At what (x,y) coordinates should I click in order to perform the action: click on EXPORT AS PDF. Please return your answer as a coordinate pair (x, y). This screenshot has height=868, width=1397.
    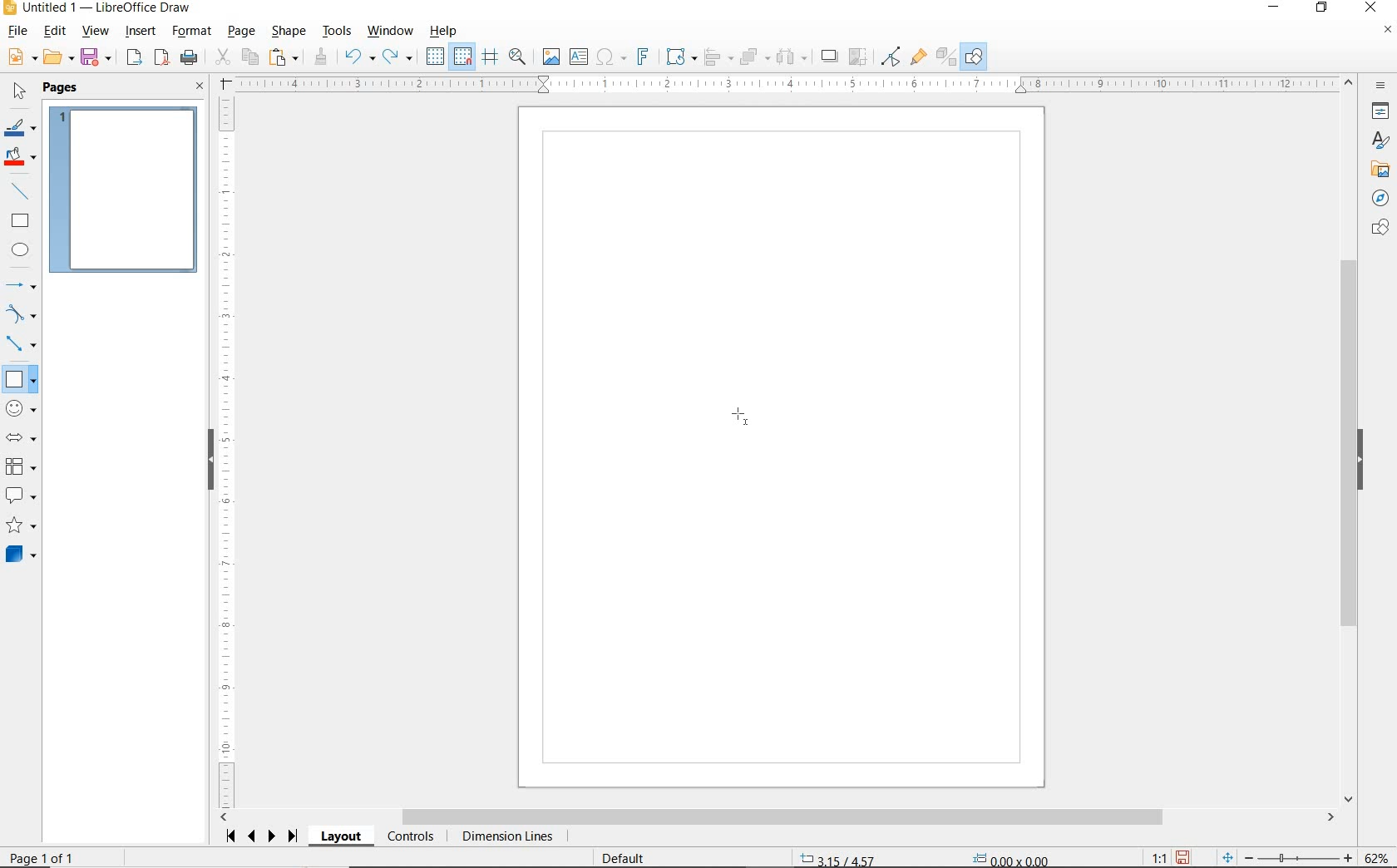
    Looking at the image, I should click on (163, 59).